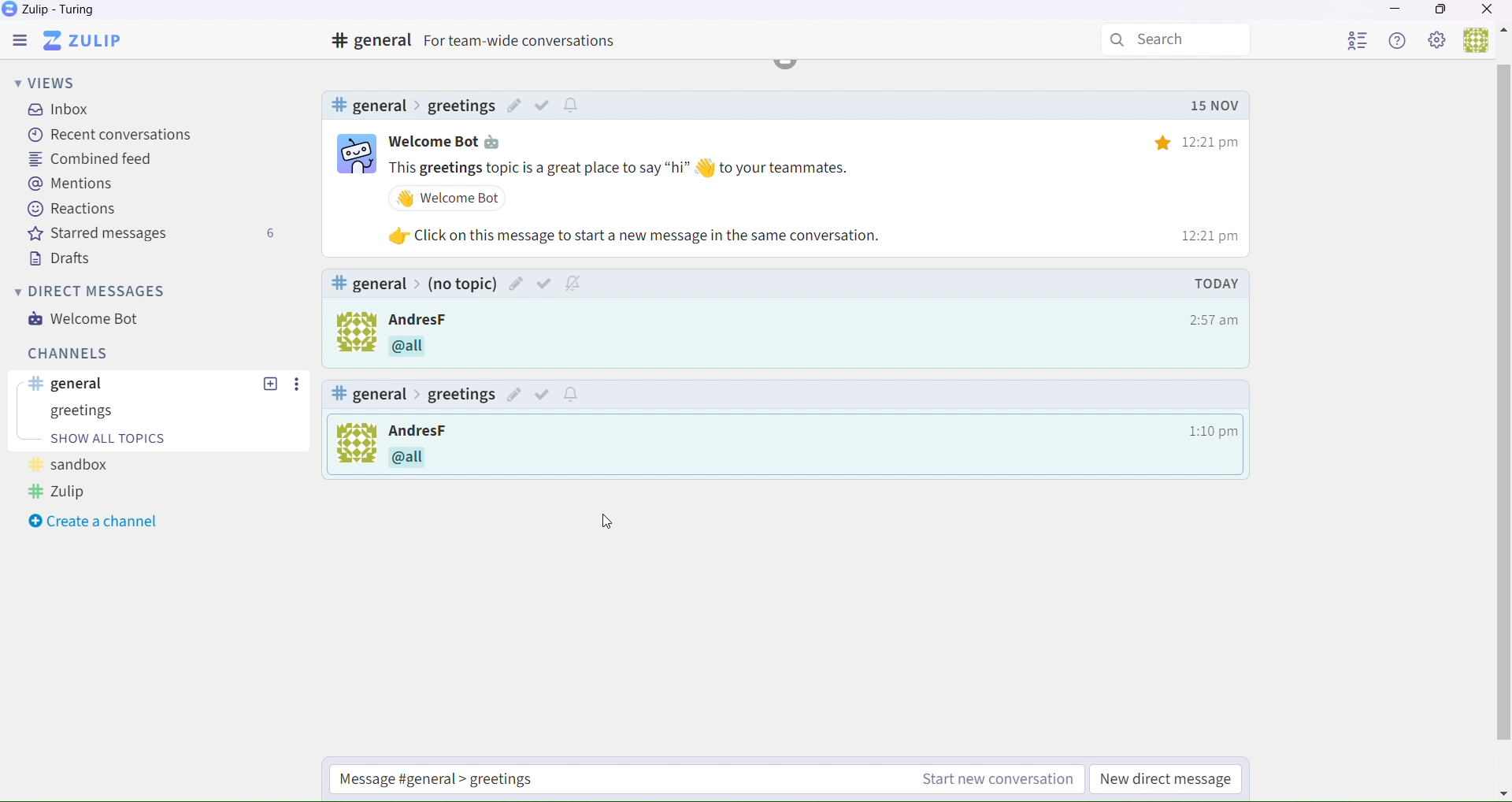  I want to click on Welcome bot, so click(92, 322).